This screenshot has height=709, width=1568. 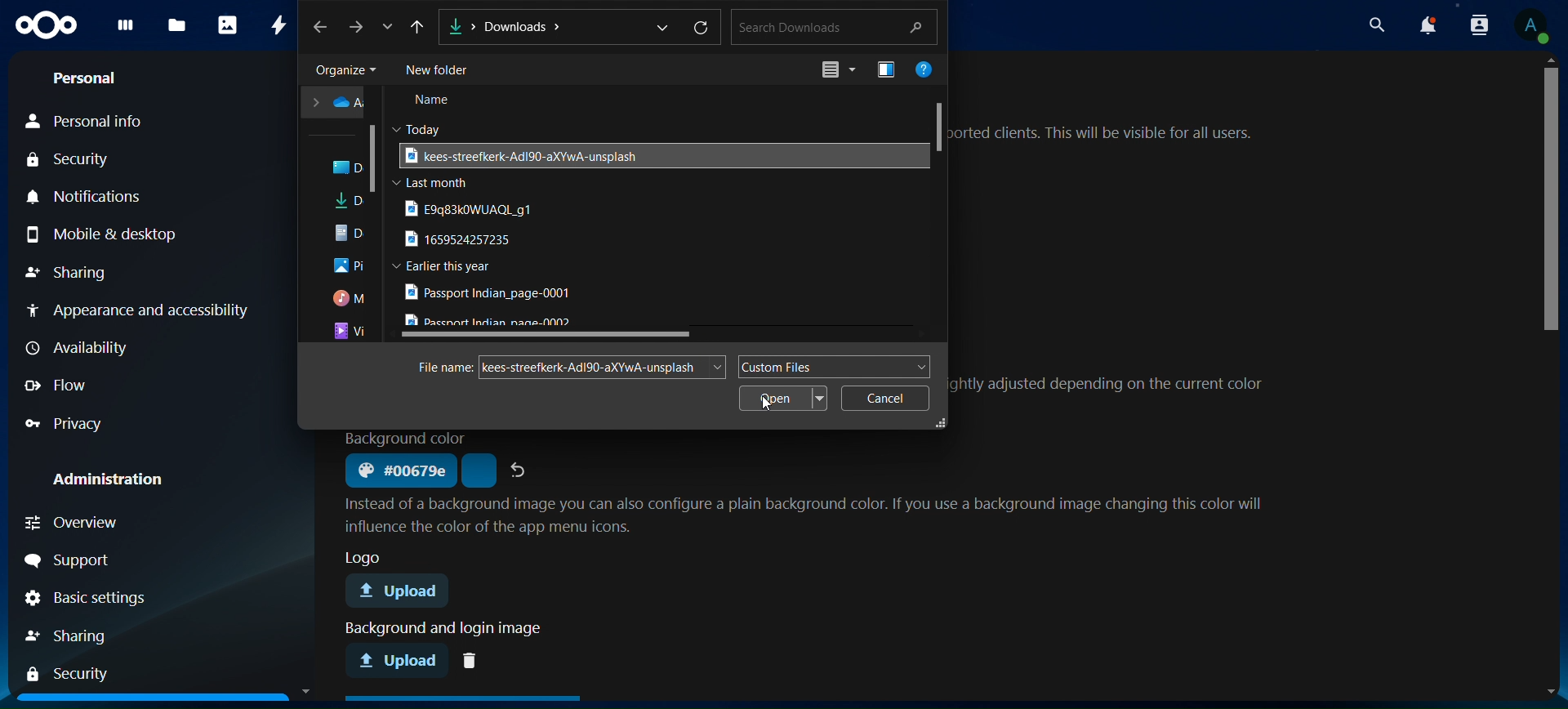 What do you see at coordinates (78, 159) in the screenshot?
I see `security` at bounding box center [78, 159].